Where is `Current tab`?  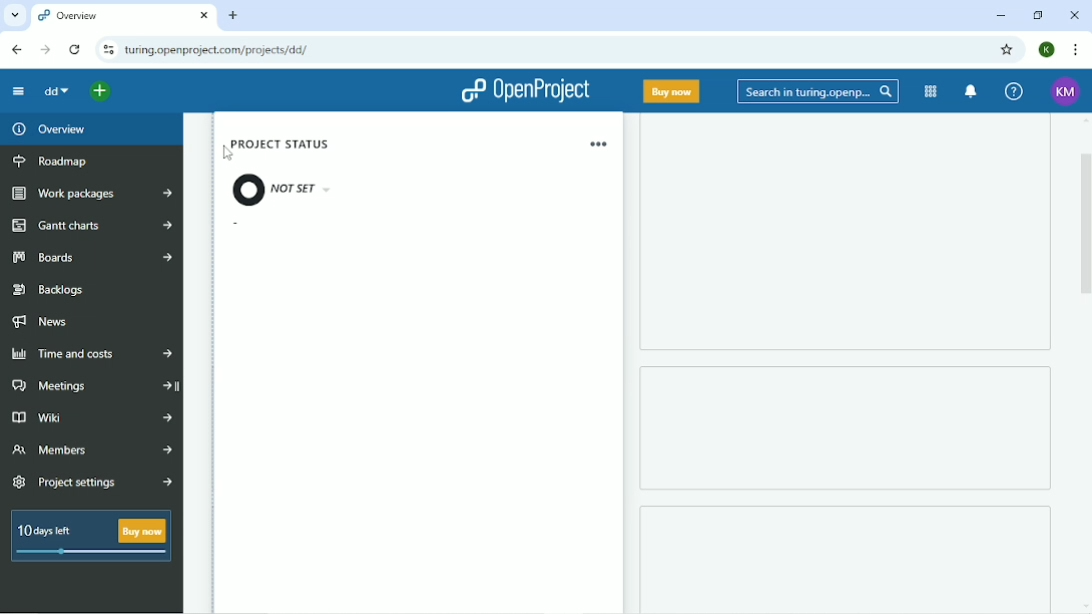 Current tab is located at coordinates (123, 15).